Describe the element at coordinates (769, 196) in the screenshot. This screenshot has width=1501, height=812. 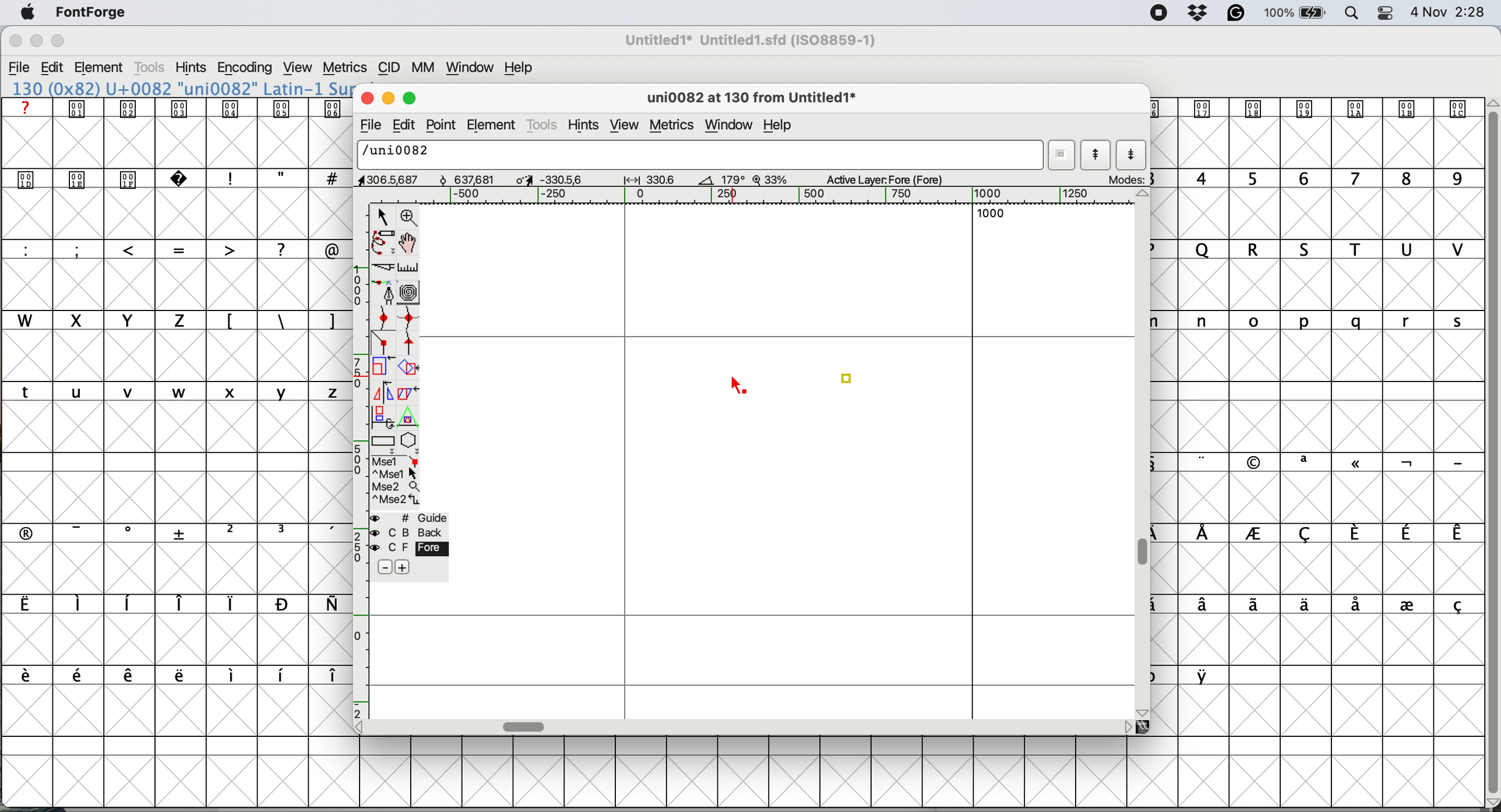
I see `horizontal scale` at that location.